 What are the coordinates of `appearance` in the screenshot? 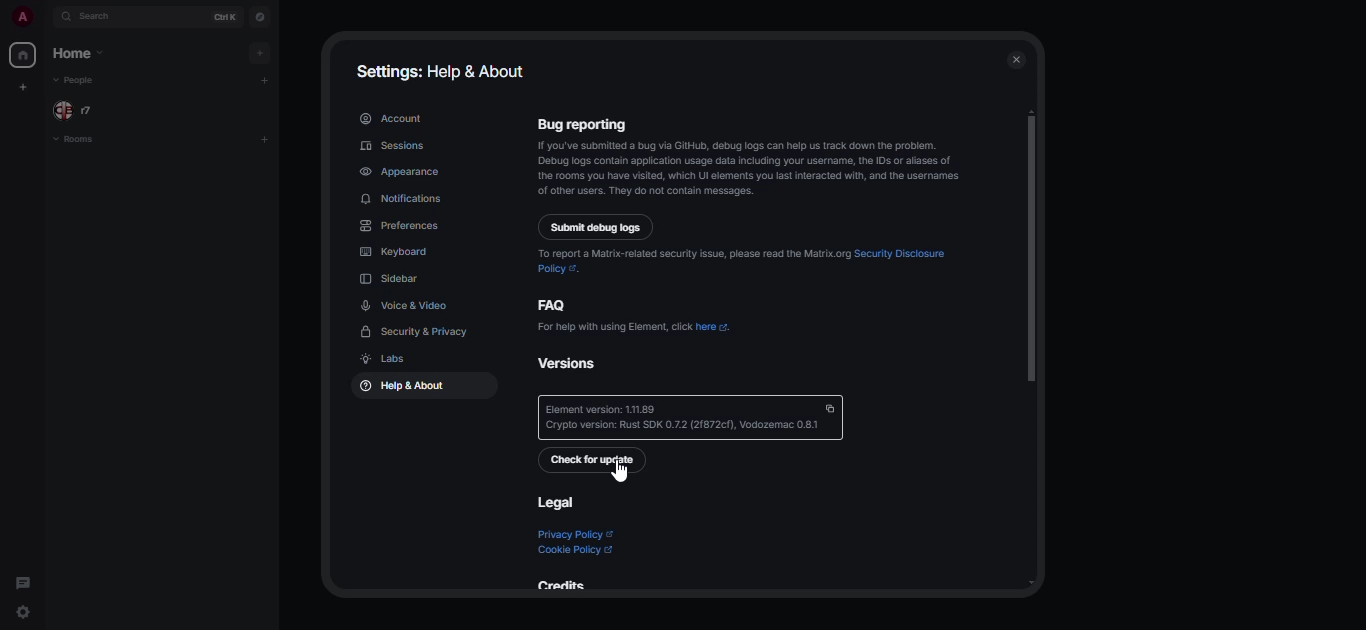 It's located at (402, 171).